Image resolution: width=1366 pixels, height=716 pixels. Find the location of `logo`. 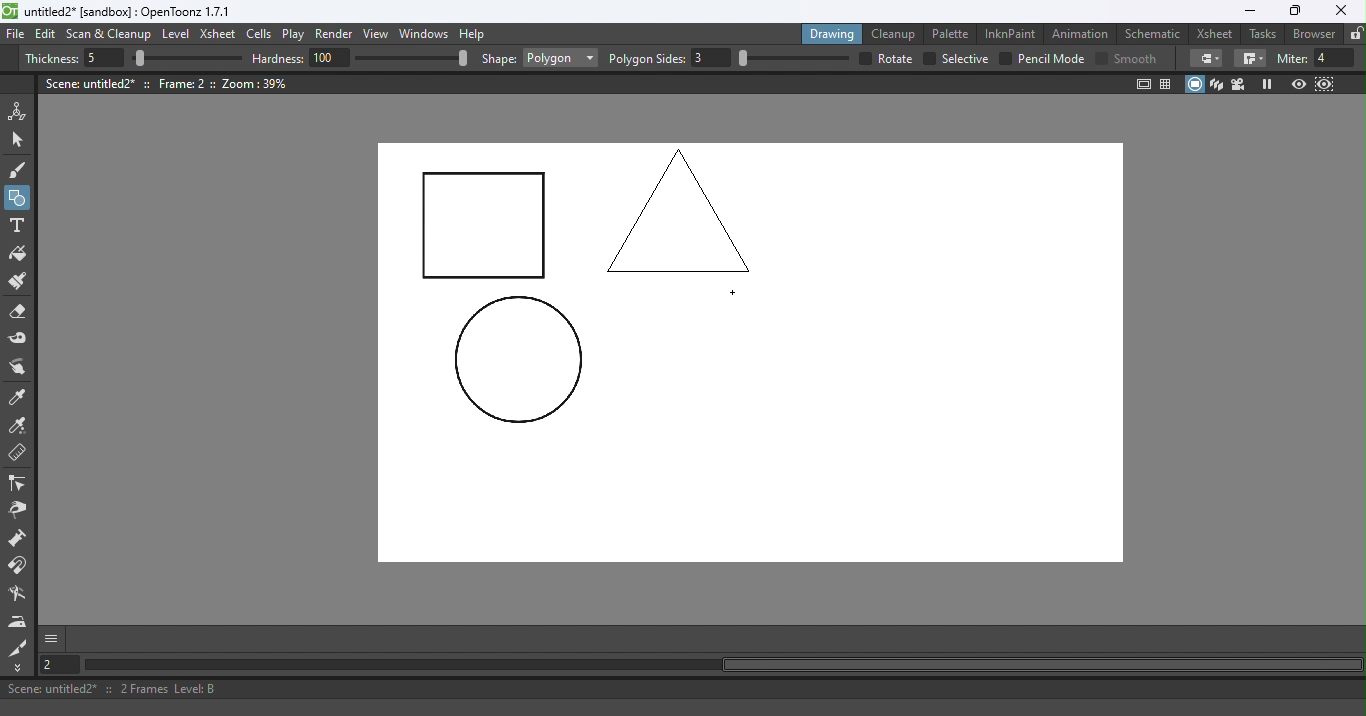

logo is located at coordinates (10, 11).